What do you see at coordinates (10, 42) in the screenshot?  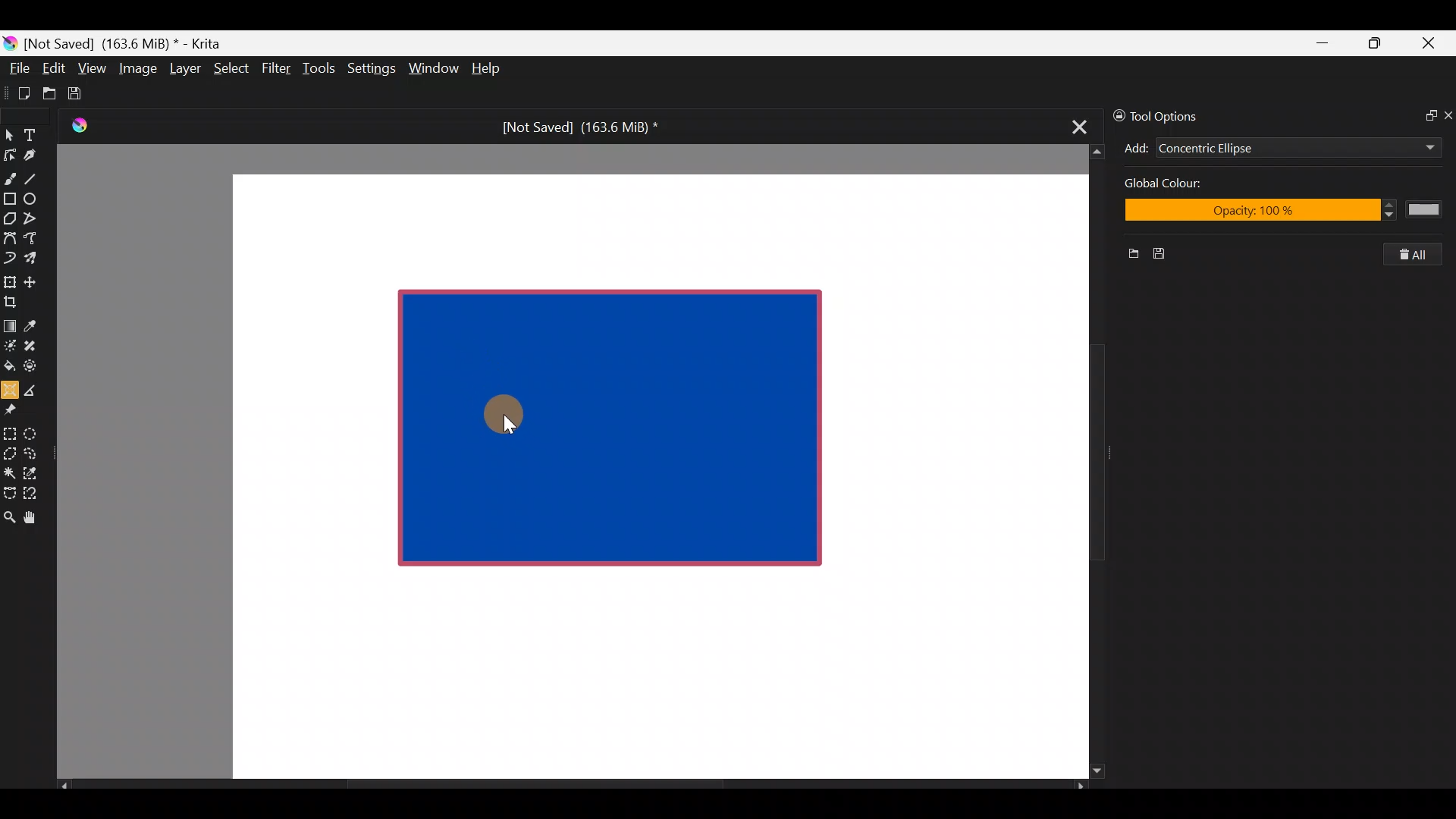 I see `Krita logo` at bounding box center [10, 42].